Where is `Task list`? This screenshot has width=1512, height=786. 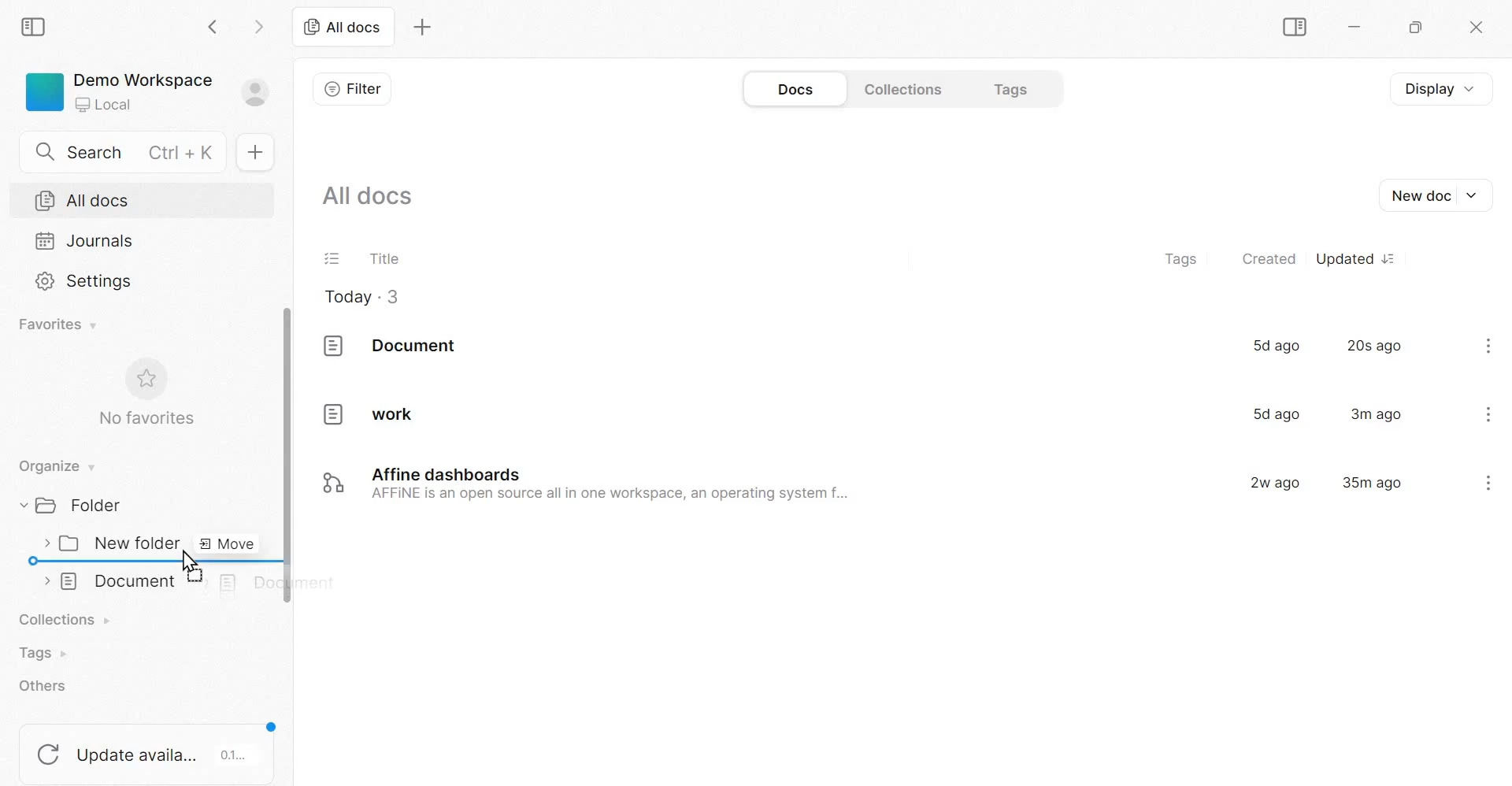 Task list is located at coordinates (332, 257).